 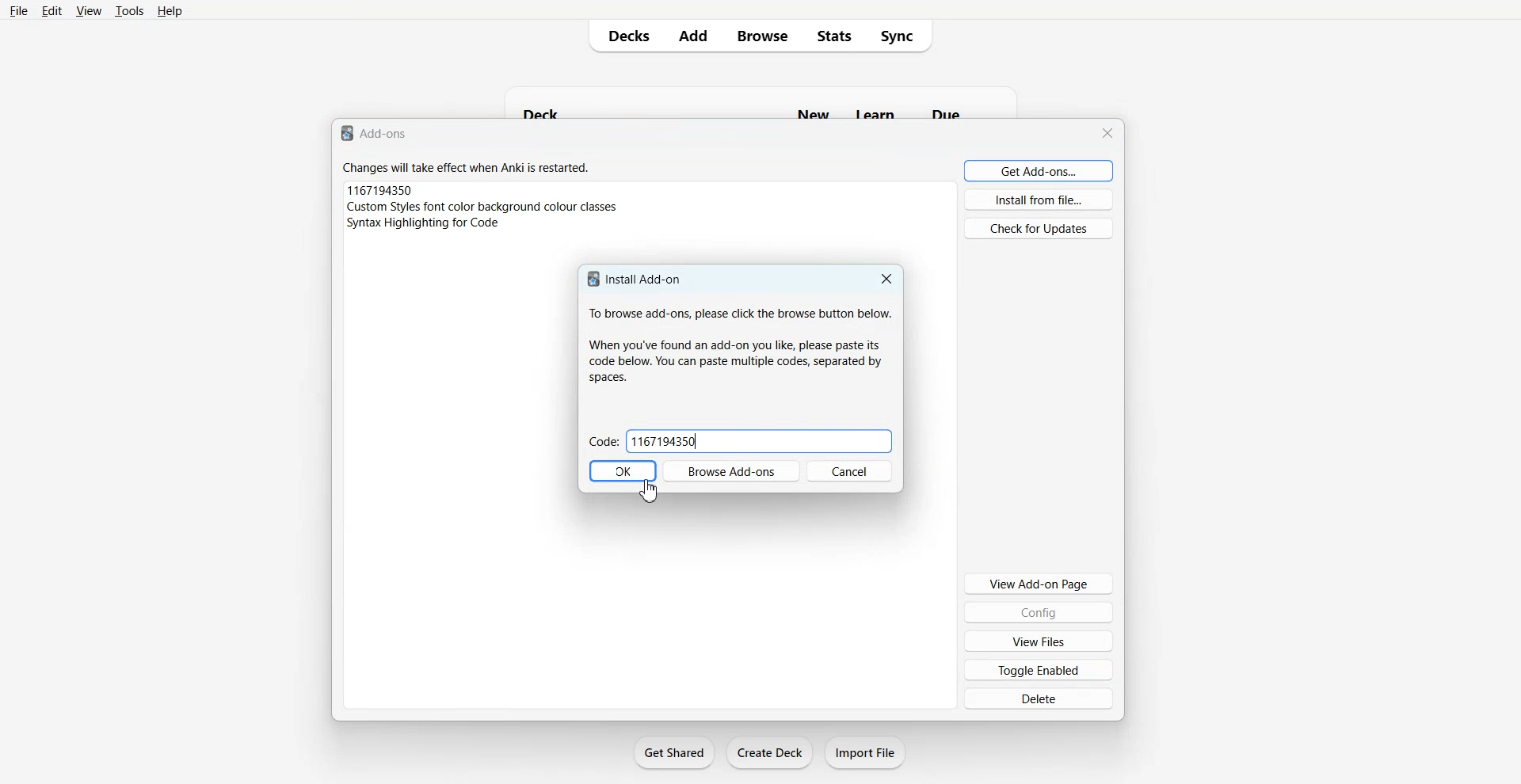 I want to click on Delete, so click(x=1038, y=698).